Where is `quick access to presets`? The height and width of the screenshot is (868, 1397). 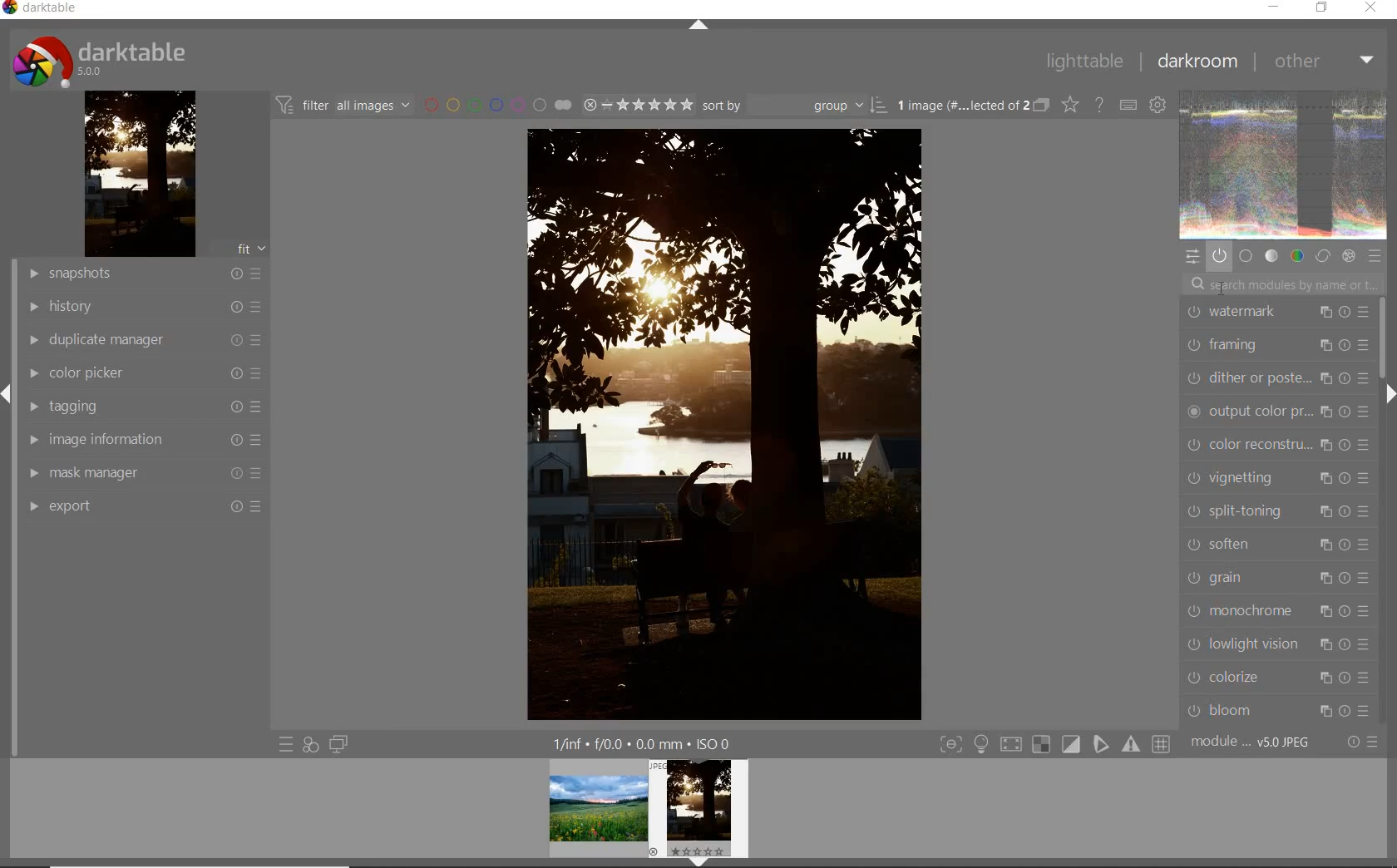 quick access to presets is located at coordinates (286, 745).